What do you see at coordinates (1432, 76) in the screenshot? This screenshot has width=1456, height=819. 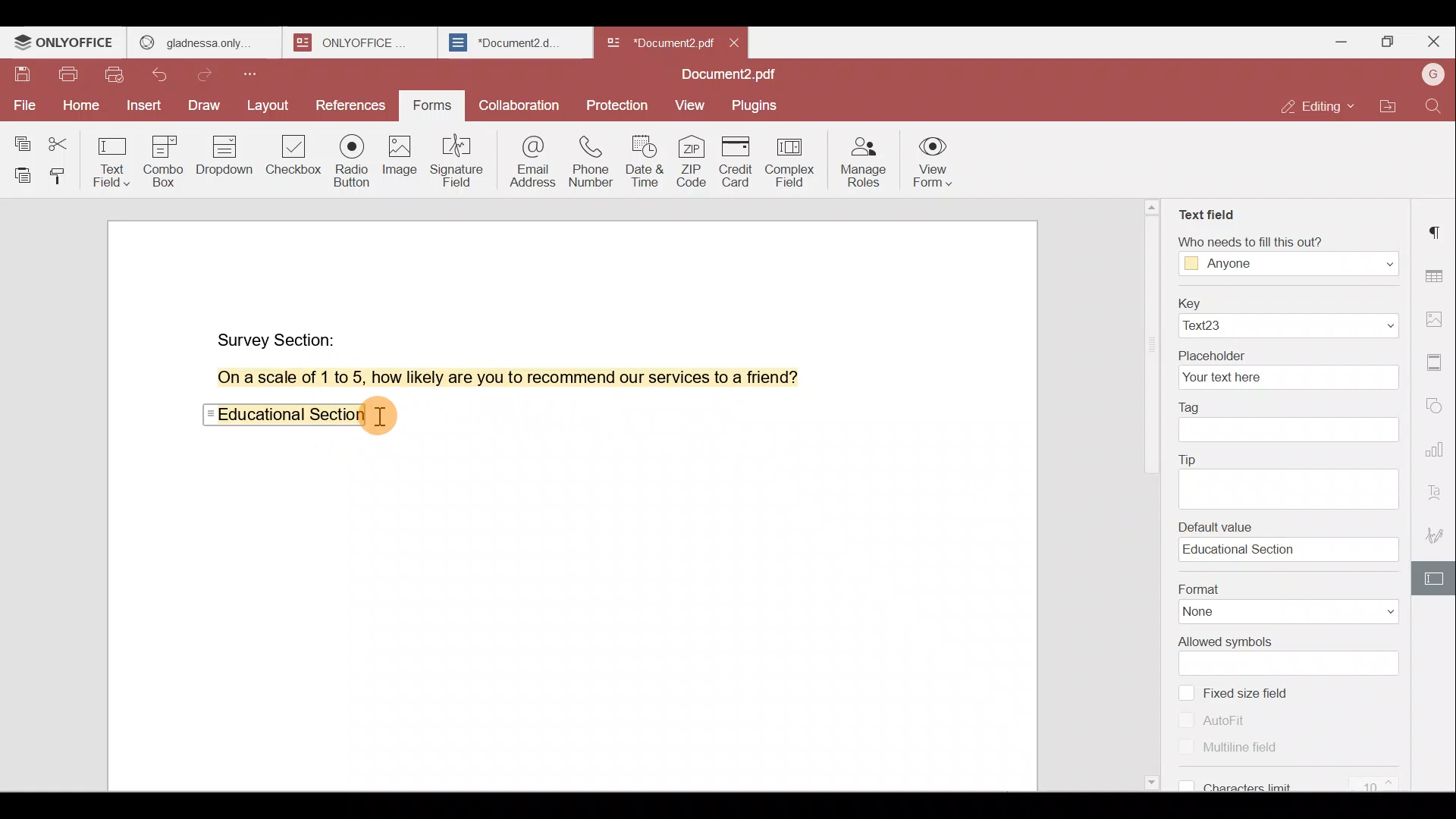 I see `Account name` at bounding box center [1432, 76].